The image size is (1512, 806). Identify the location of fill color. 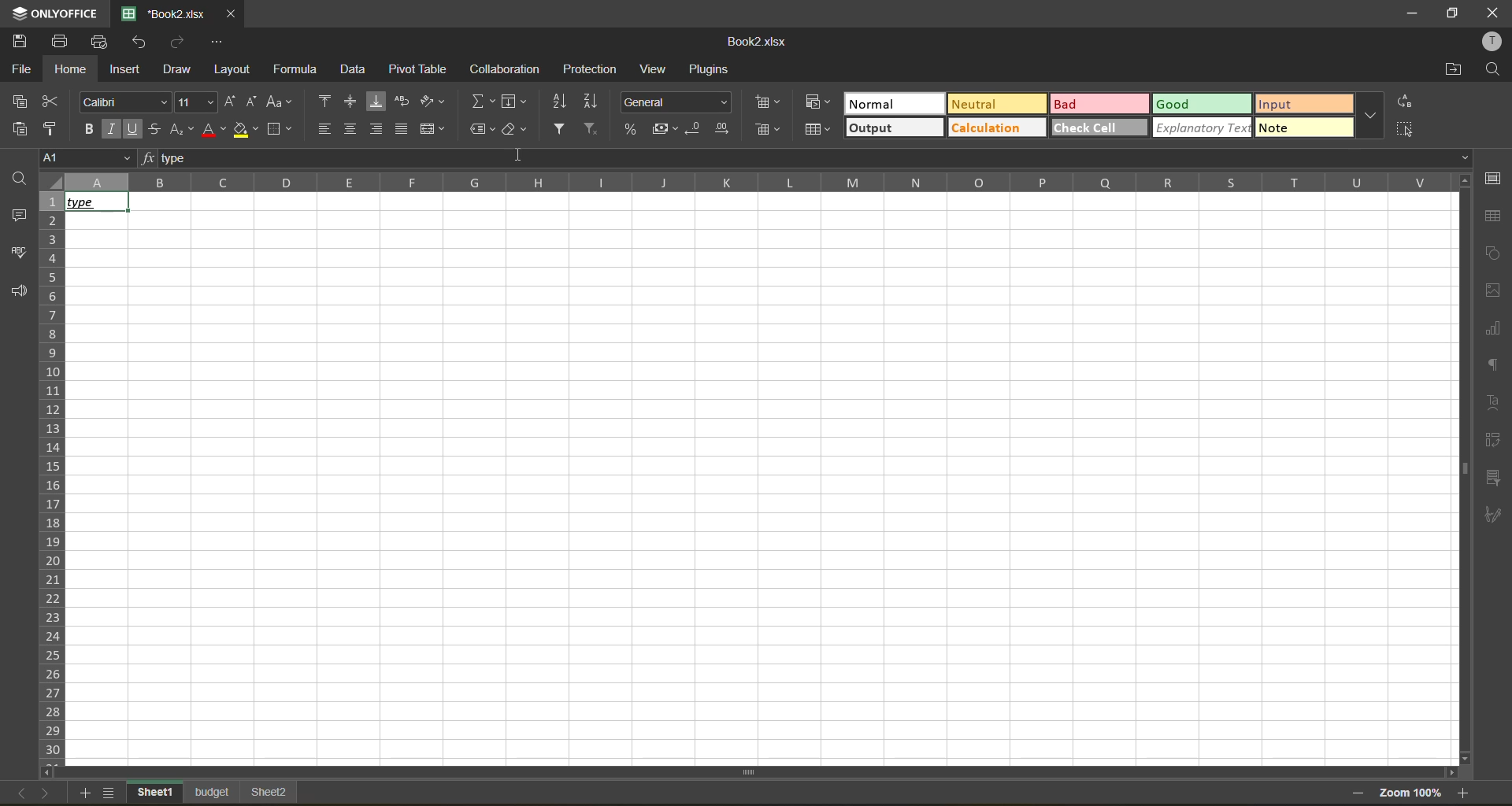
(245, 131).